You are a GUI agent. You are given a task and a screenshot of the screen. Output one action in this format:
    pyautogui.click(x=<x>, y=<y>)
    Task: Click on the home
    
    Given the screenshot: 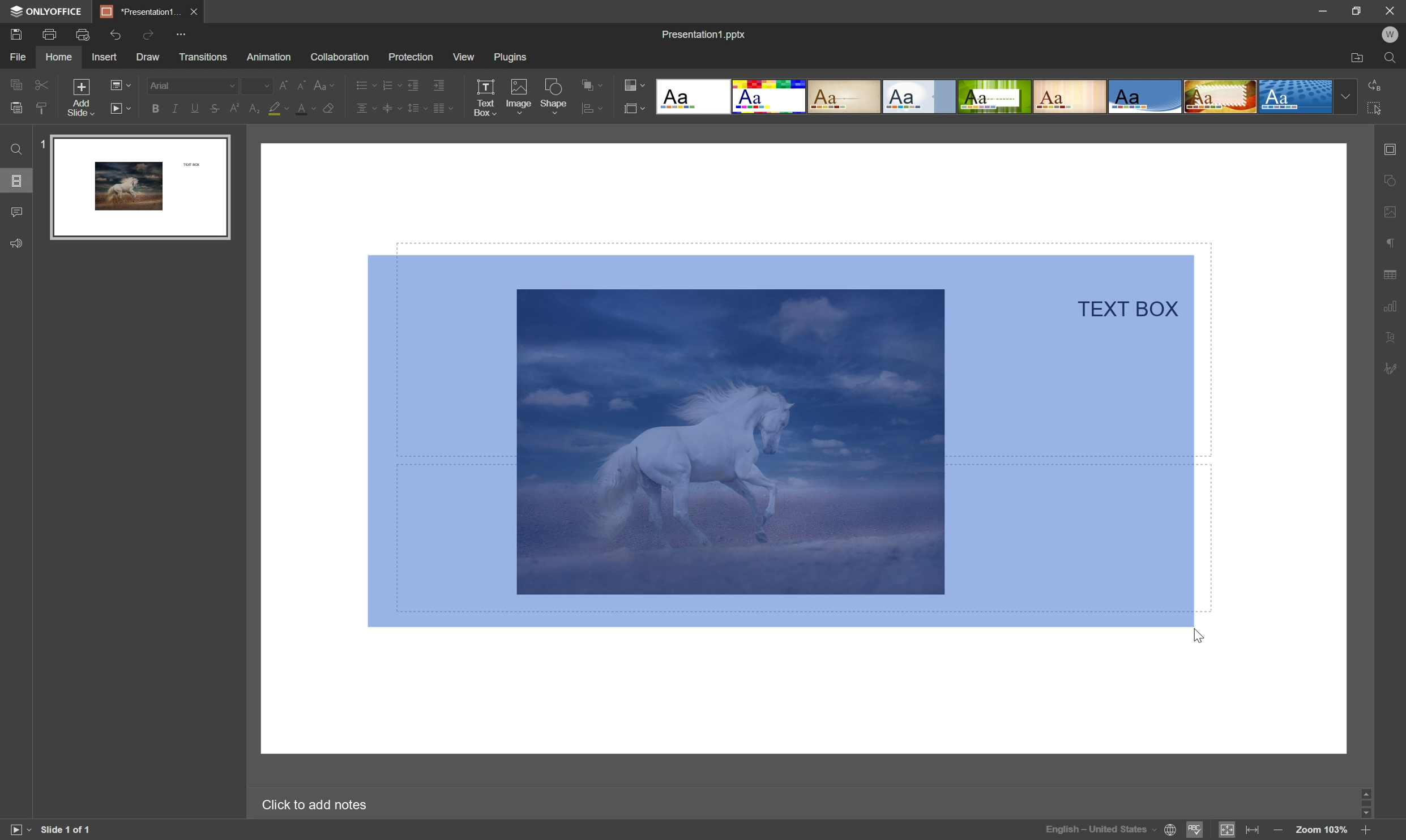 What is the action you would take?
    pyautogui.click(x=58, y=58)
    